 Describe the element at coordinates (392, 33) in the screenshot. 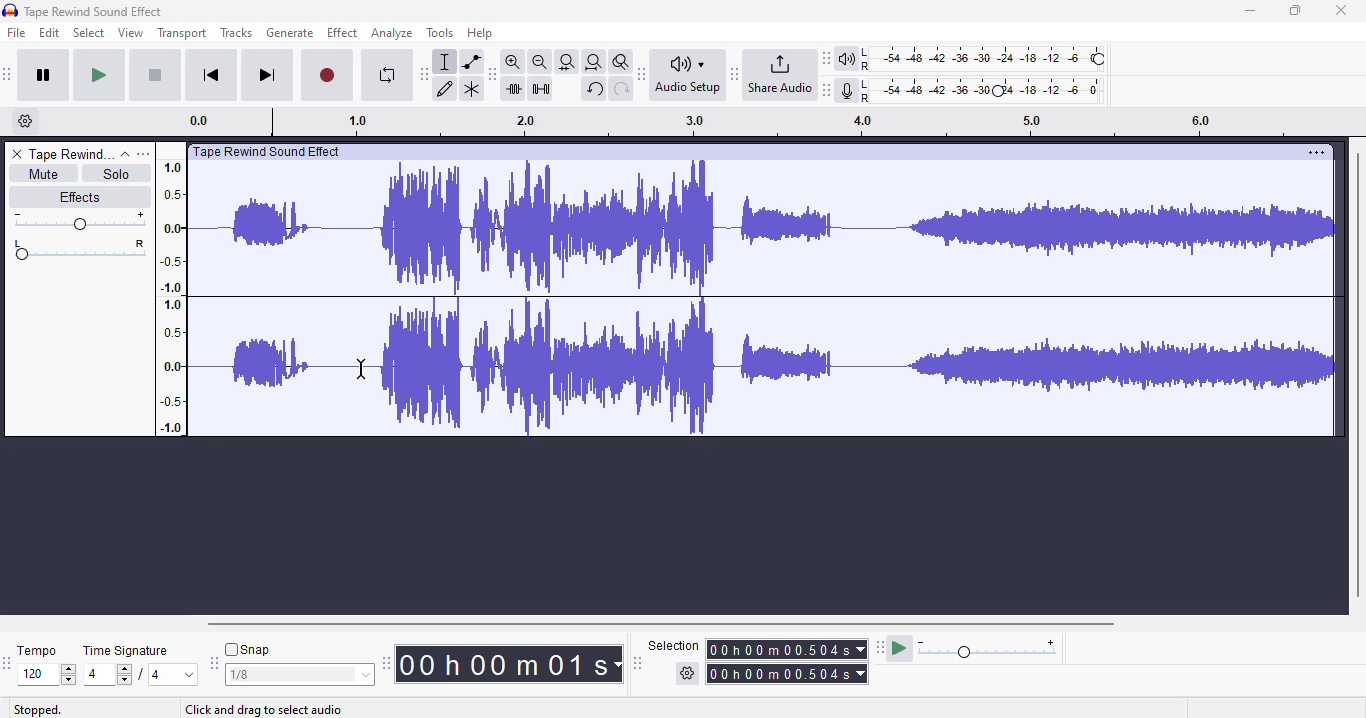

I see `analyze` at that location.